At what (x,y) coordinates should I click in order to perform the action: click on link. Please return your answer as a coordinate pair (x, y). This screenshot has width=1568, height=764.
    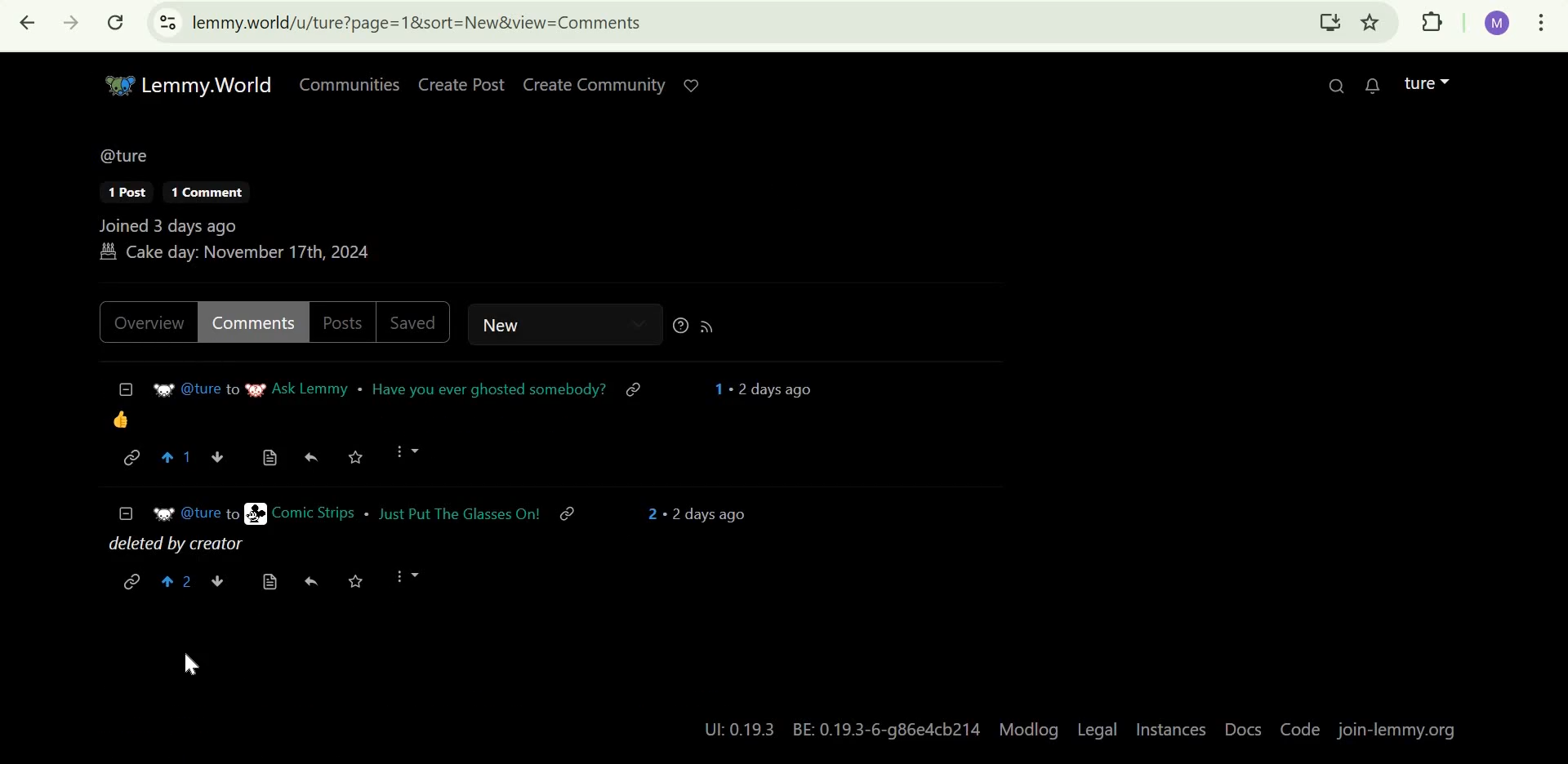
    Looking at the image, I should click on (637, 389).